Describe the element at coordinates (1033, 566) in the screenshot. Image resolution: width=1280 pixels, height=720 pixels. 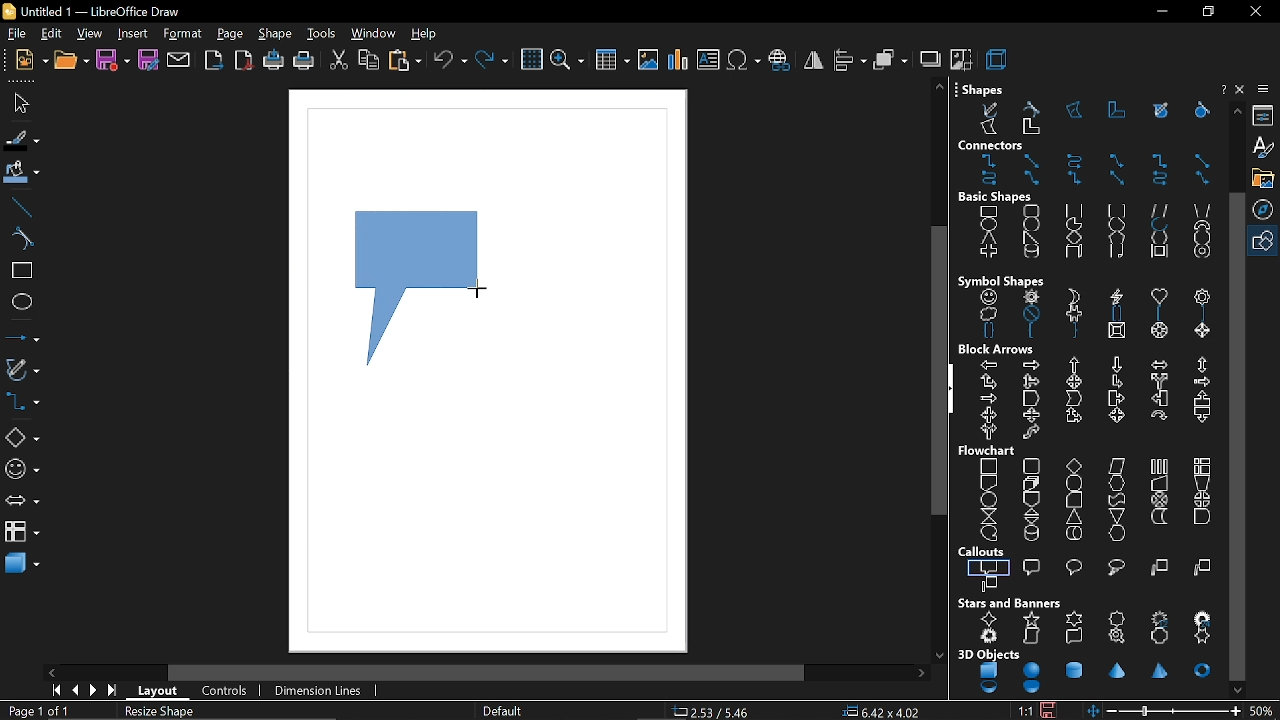
I see `rounded rectangular` at that location.